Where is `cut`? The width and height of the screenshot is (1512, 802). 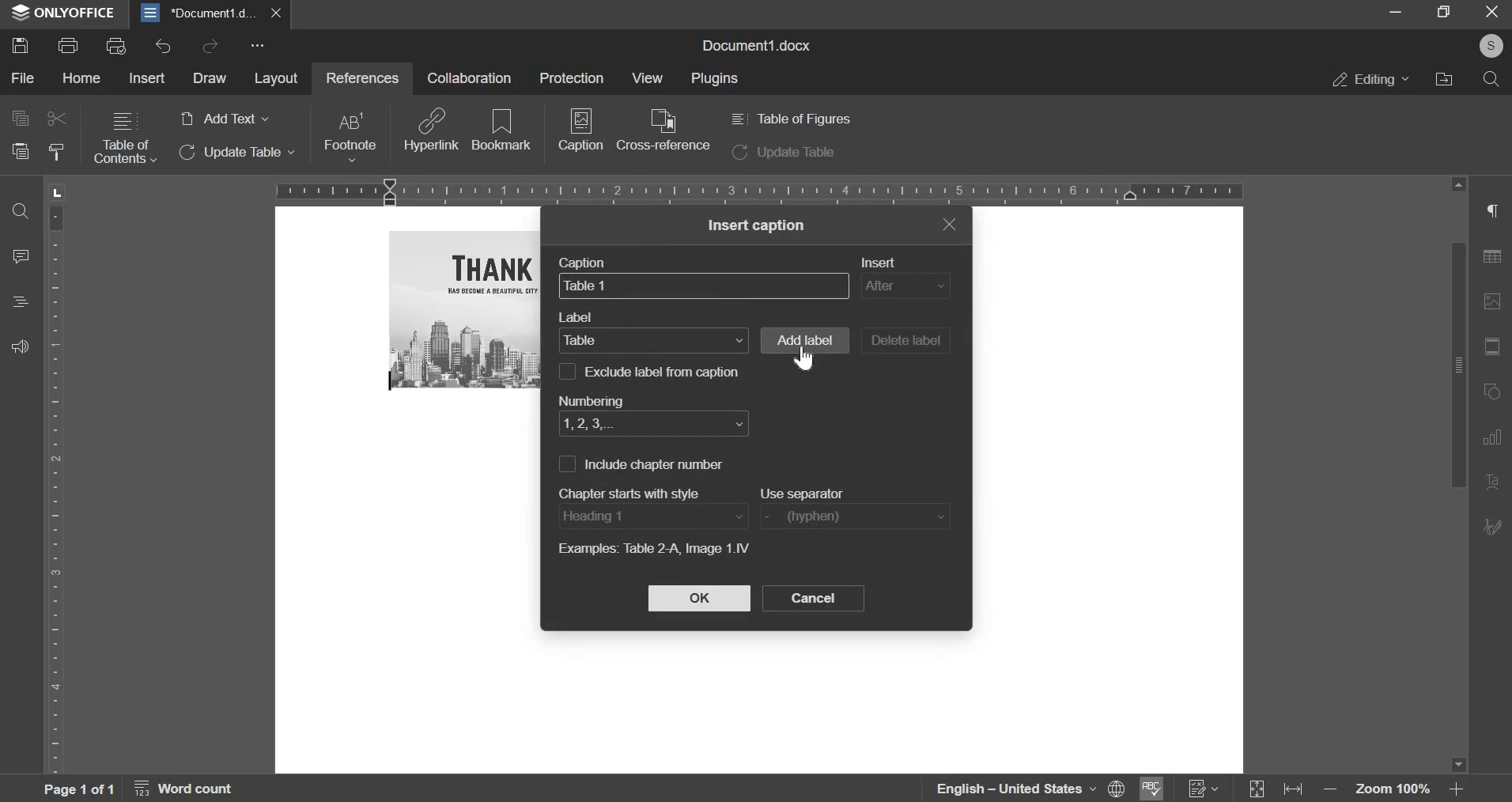 cut is located at coordinates (58, 119).